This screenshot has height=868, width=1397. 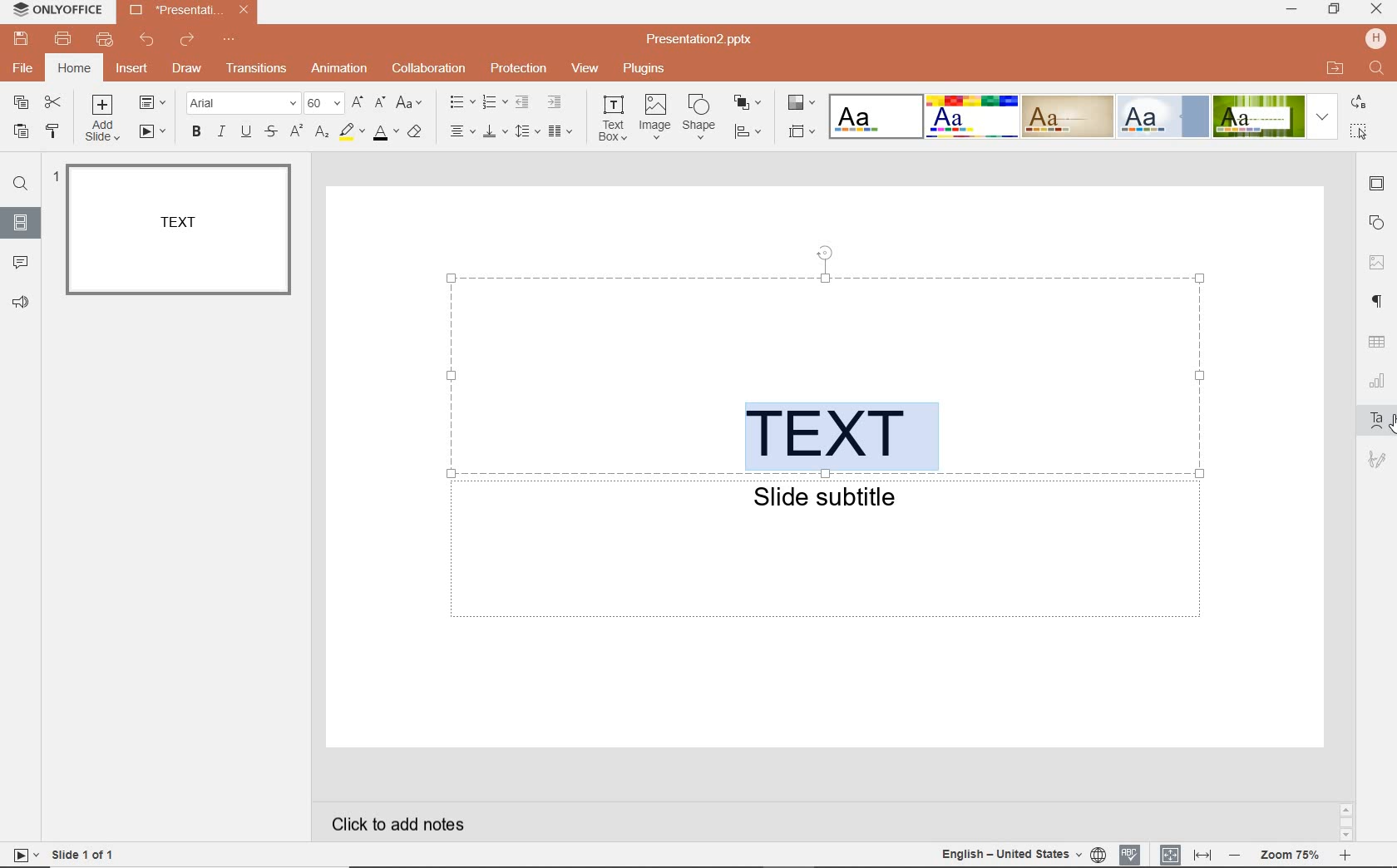 I want to click on find, so click(x=1378, y=70).